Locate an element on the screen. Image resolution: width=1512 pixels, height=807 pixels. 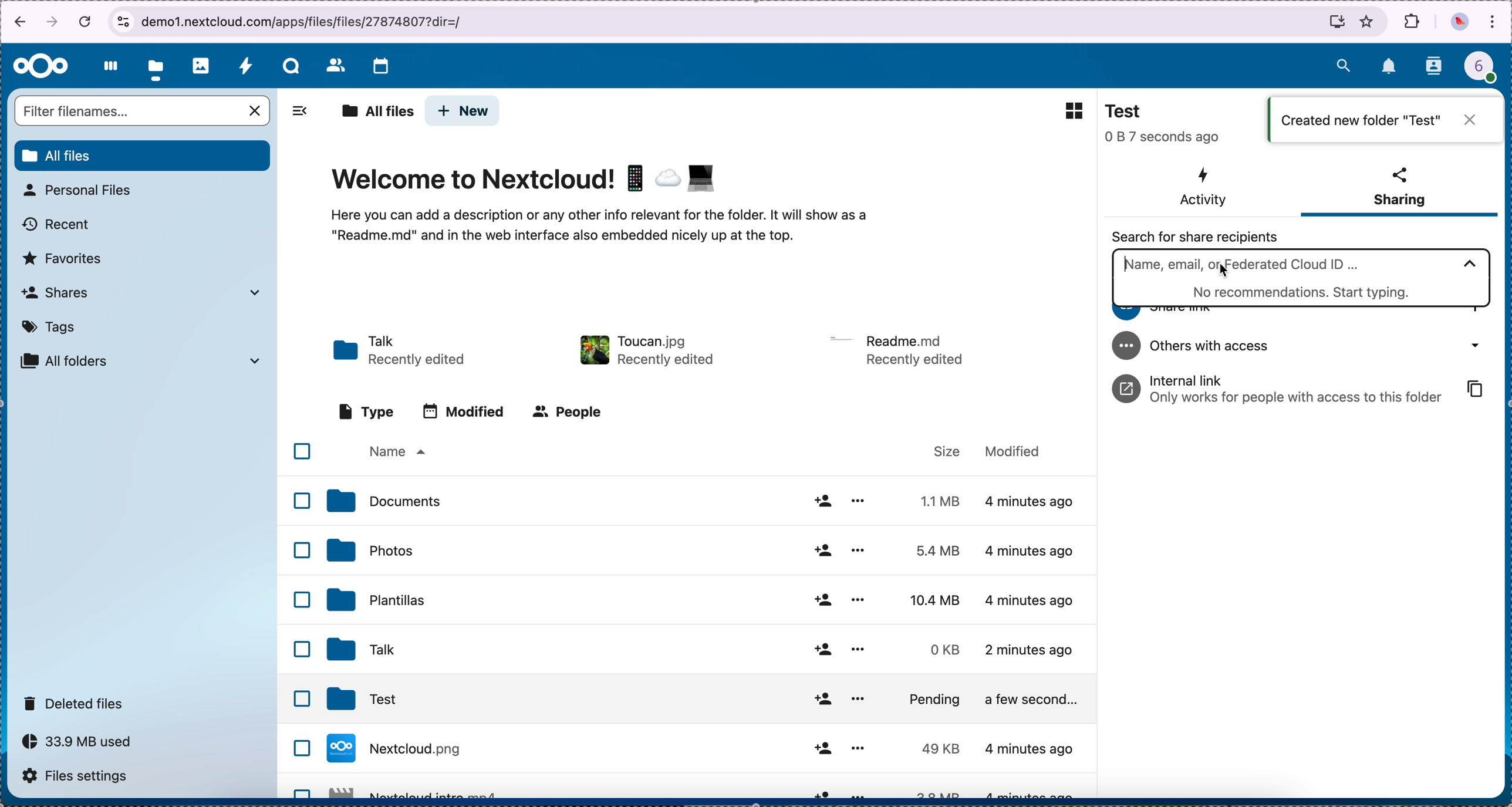
created new folder "Test" is located at coordinates (1384, 123).